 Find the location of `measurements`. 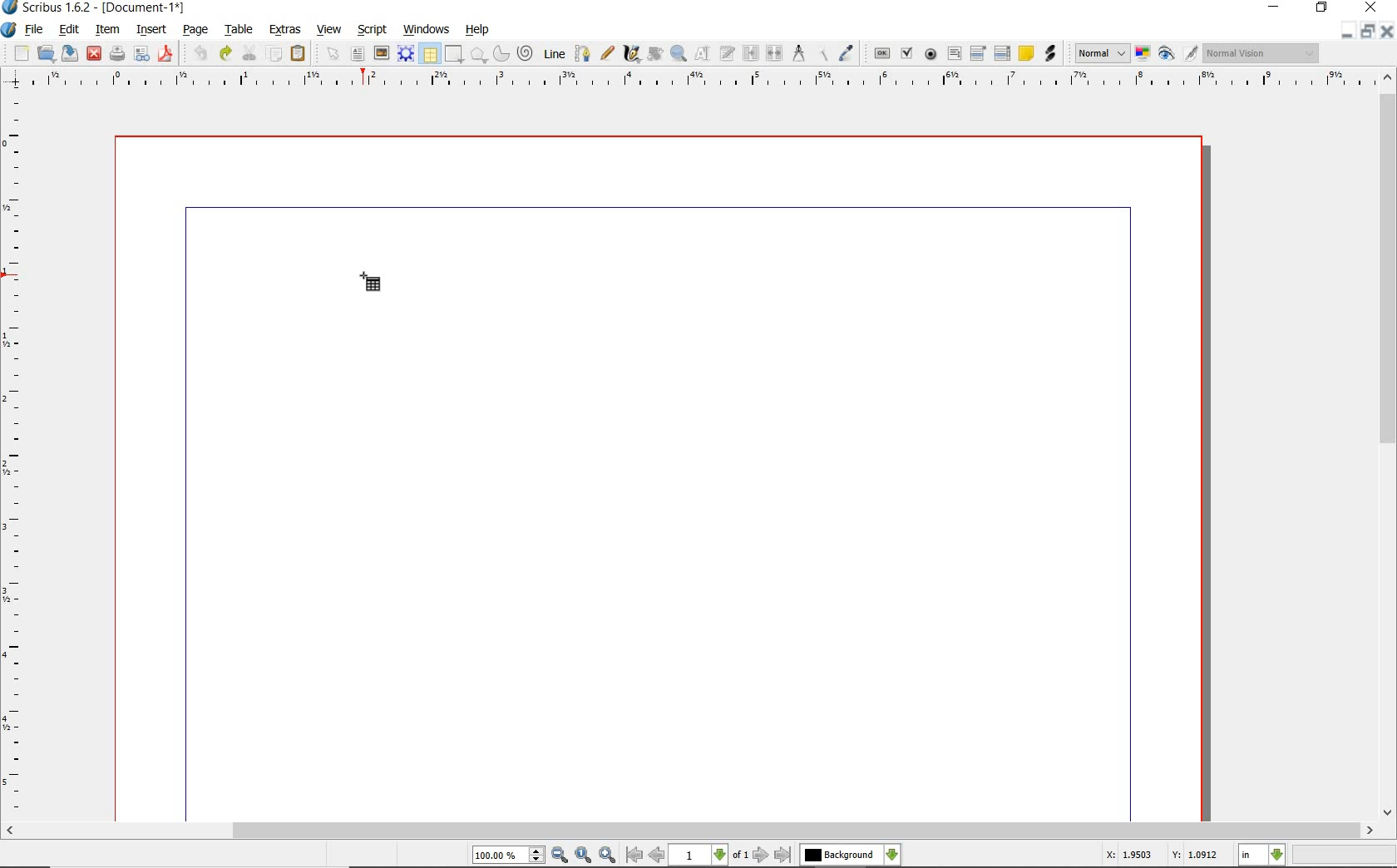

measurements is located at coordinates (799, 53).